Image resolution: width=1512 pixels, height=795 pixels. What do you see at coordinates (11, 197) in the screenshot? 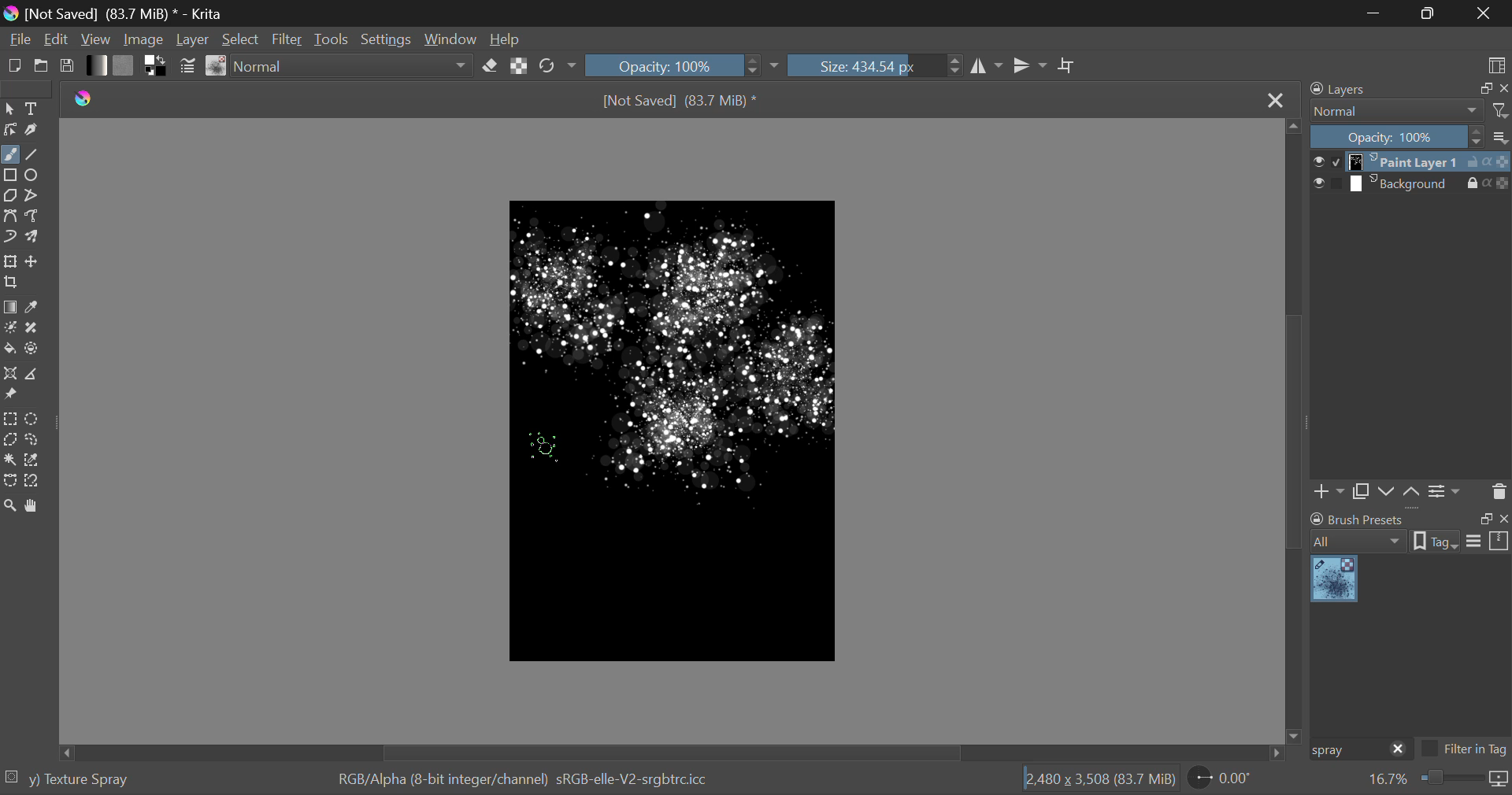
I see `Polygon` at bounding box center [11, 197].